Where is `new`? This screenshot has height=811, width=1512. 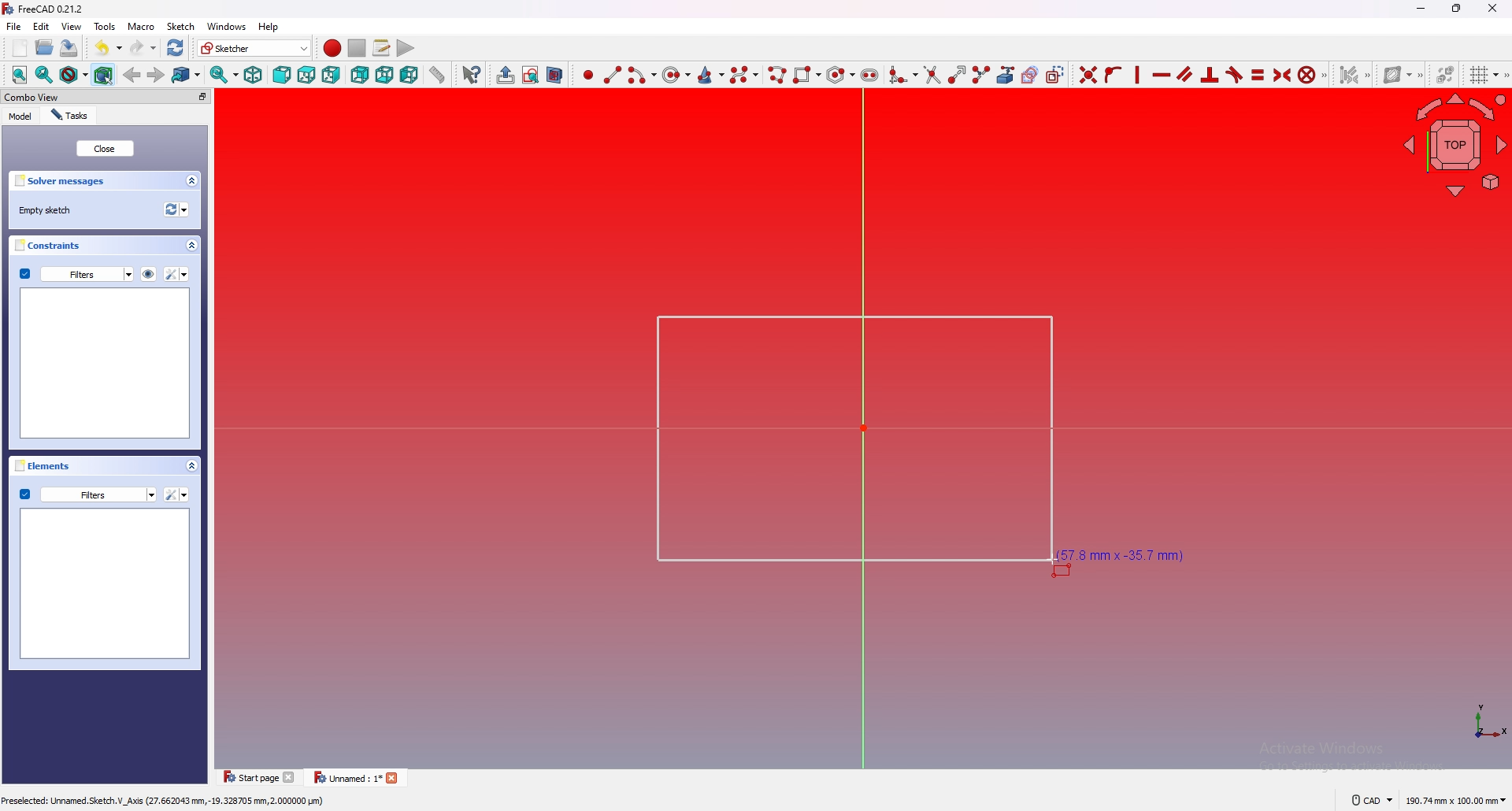 new is located at coordinates (20, 47).